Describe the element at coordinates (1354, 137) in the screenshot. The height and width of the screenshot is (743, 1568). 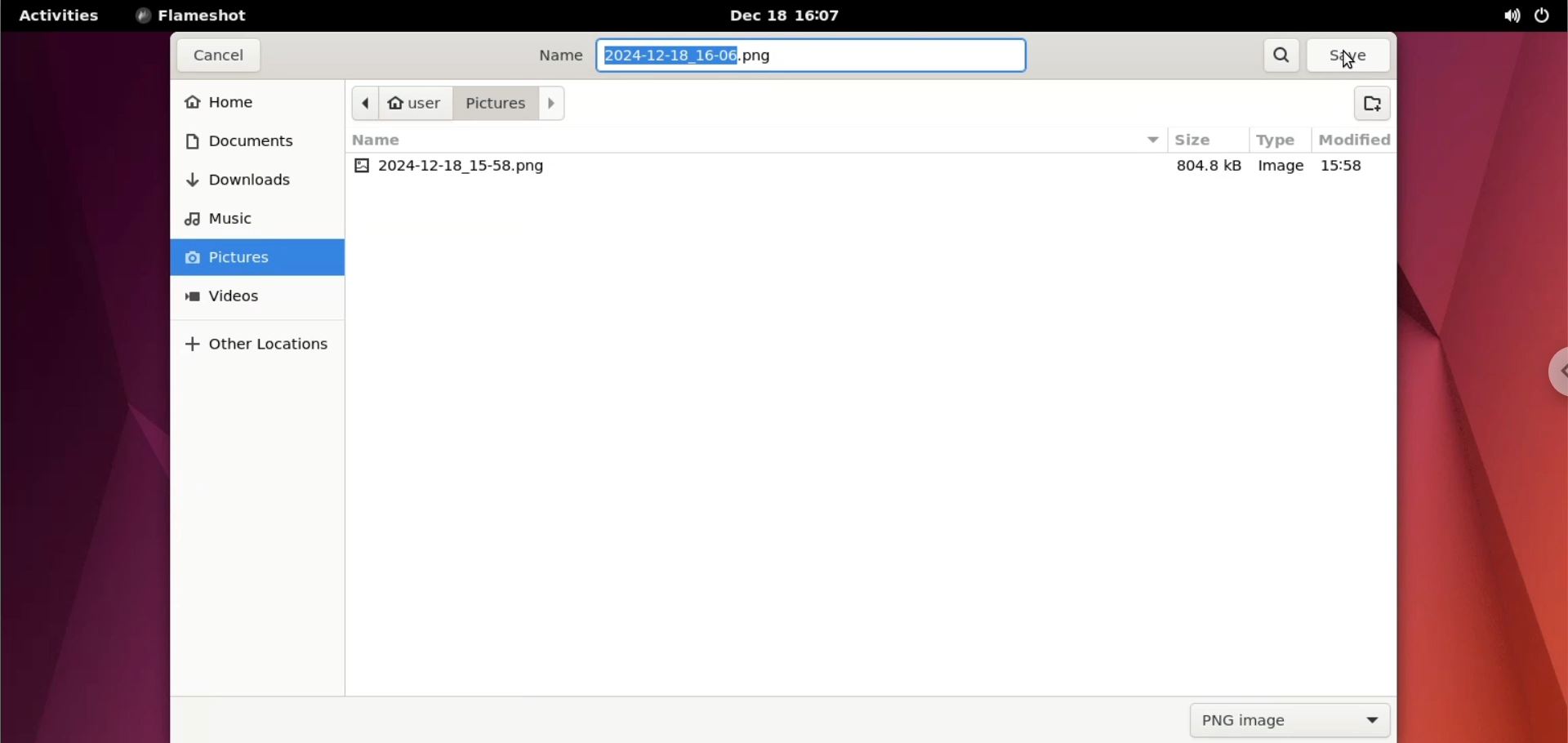
I see `modified date label` at that location.